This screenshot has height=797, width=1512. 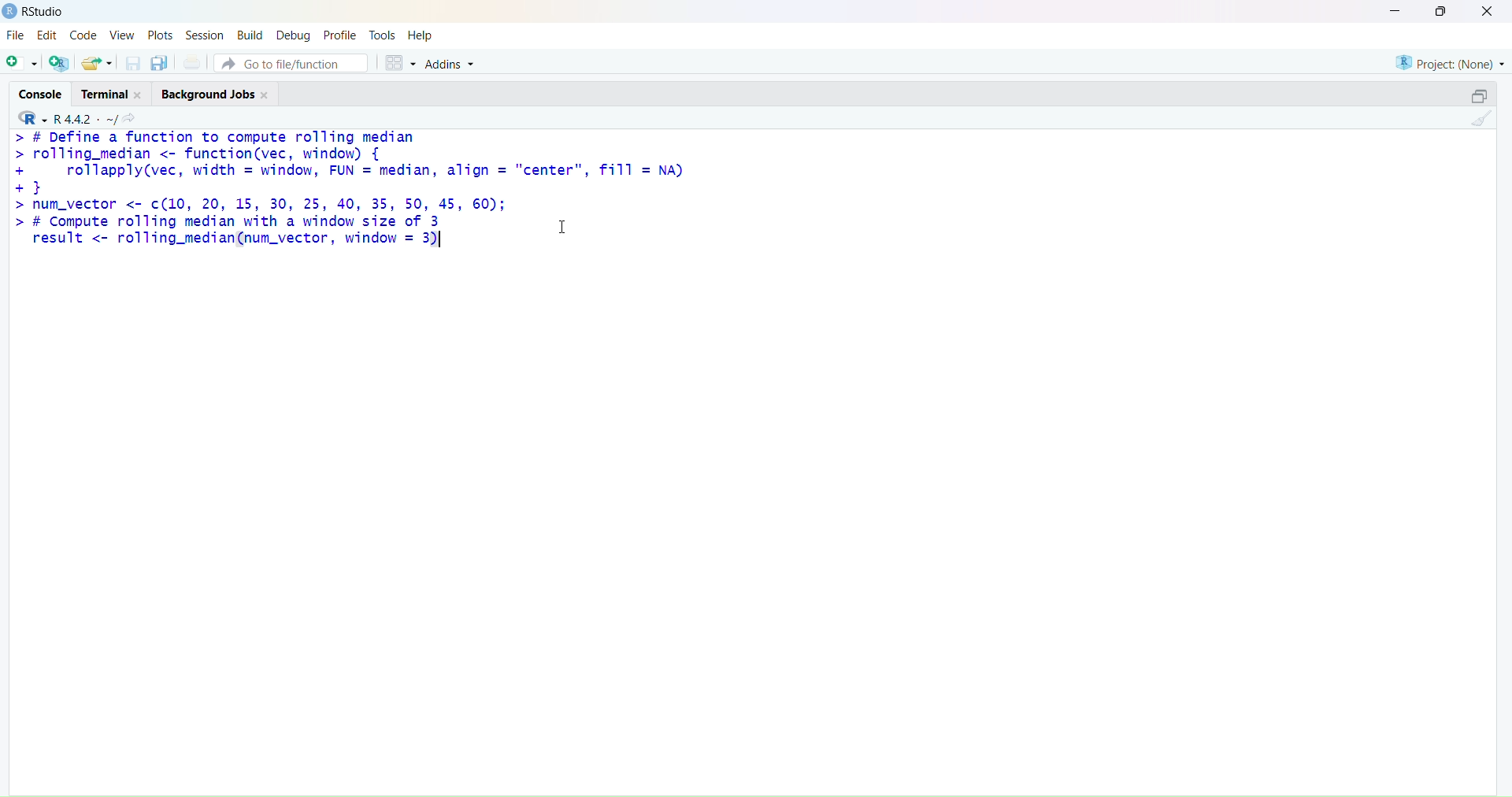 I want to click on logo, so click(x=11, y=11).